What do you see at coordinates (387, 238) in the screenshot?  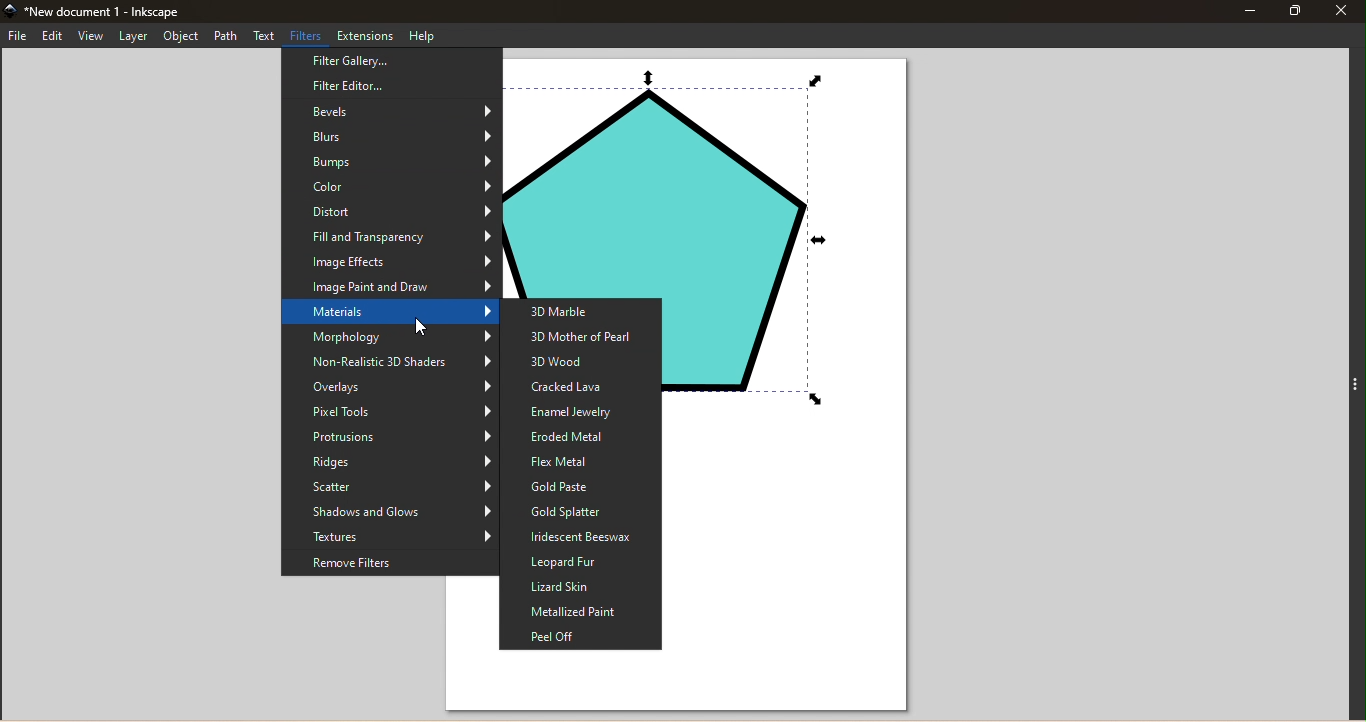 I see `Fill and Transparency` at bounding box center [387, 238].